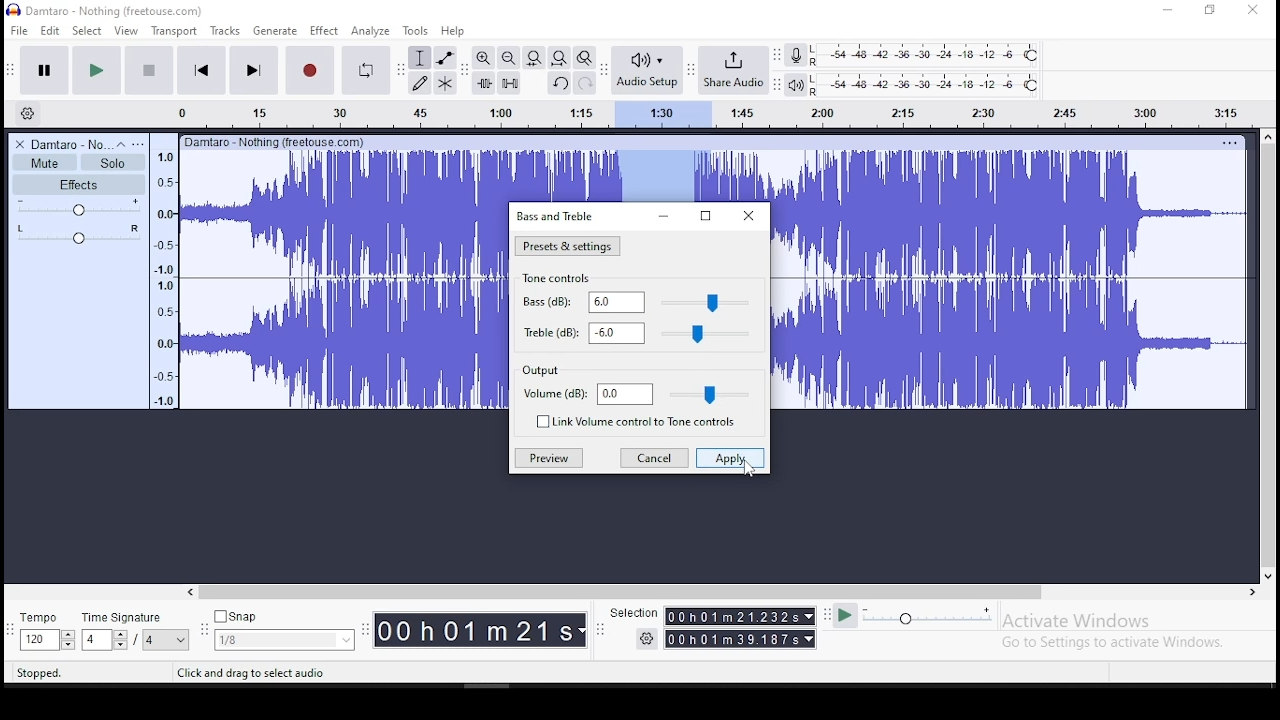  I want to click on 00 h 01 m 39.187s, so click(733, 639).